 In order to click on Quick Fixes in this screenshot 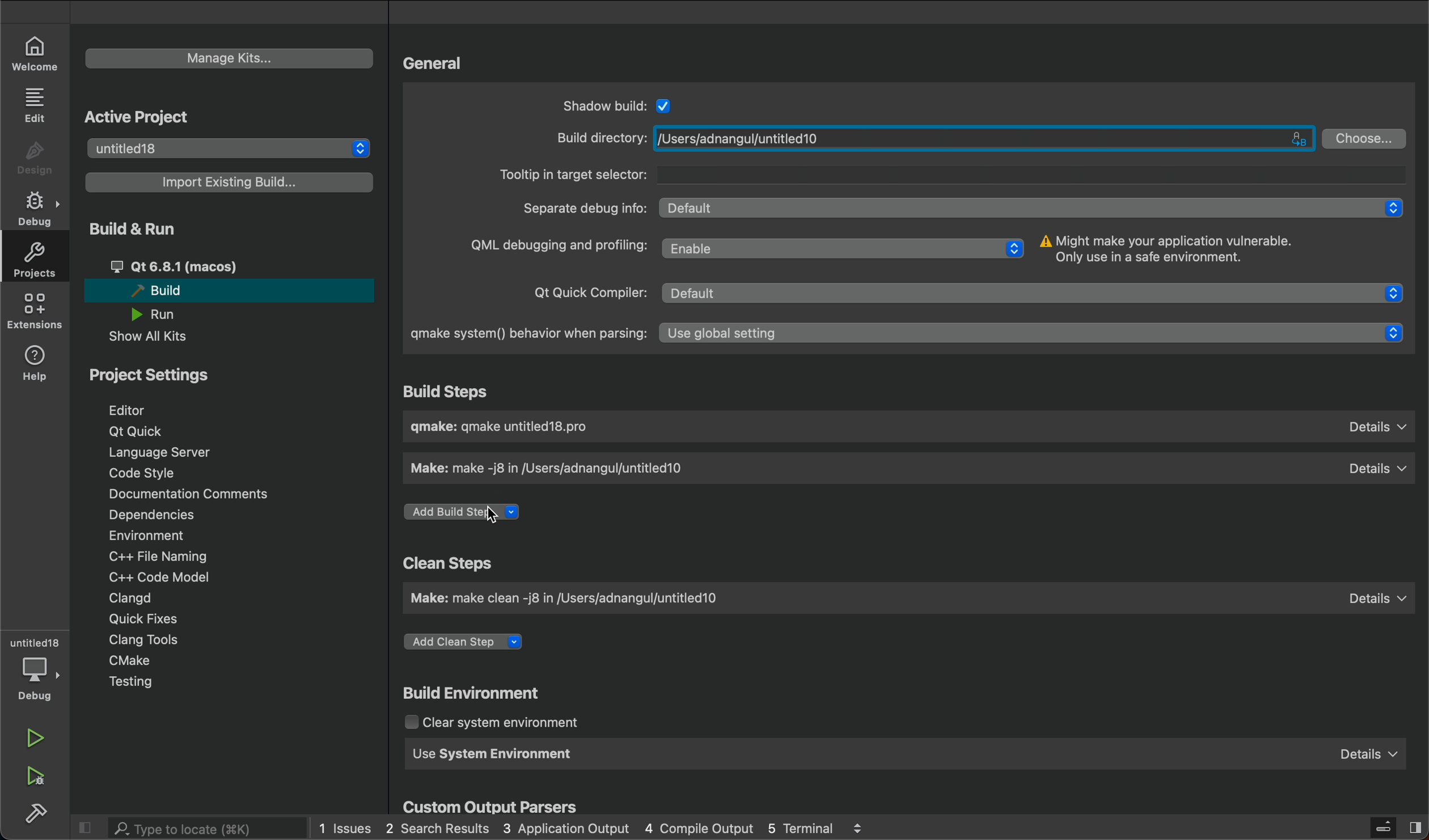, I will do `click(142, 618)`.